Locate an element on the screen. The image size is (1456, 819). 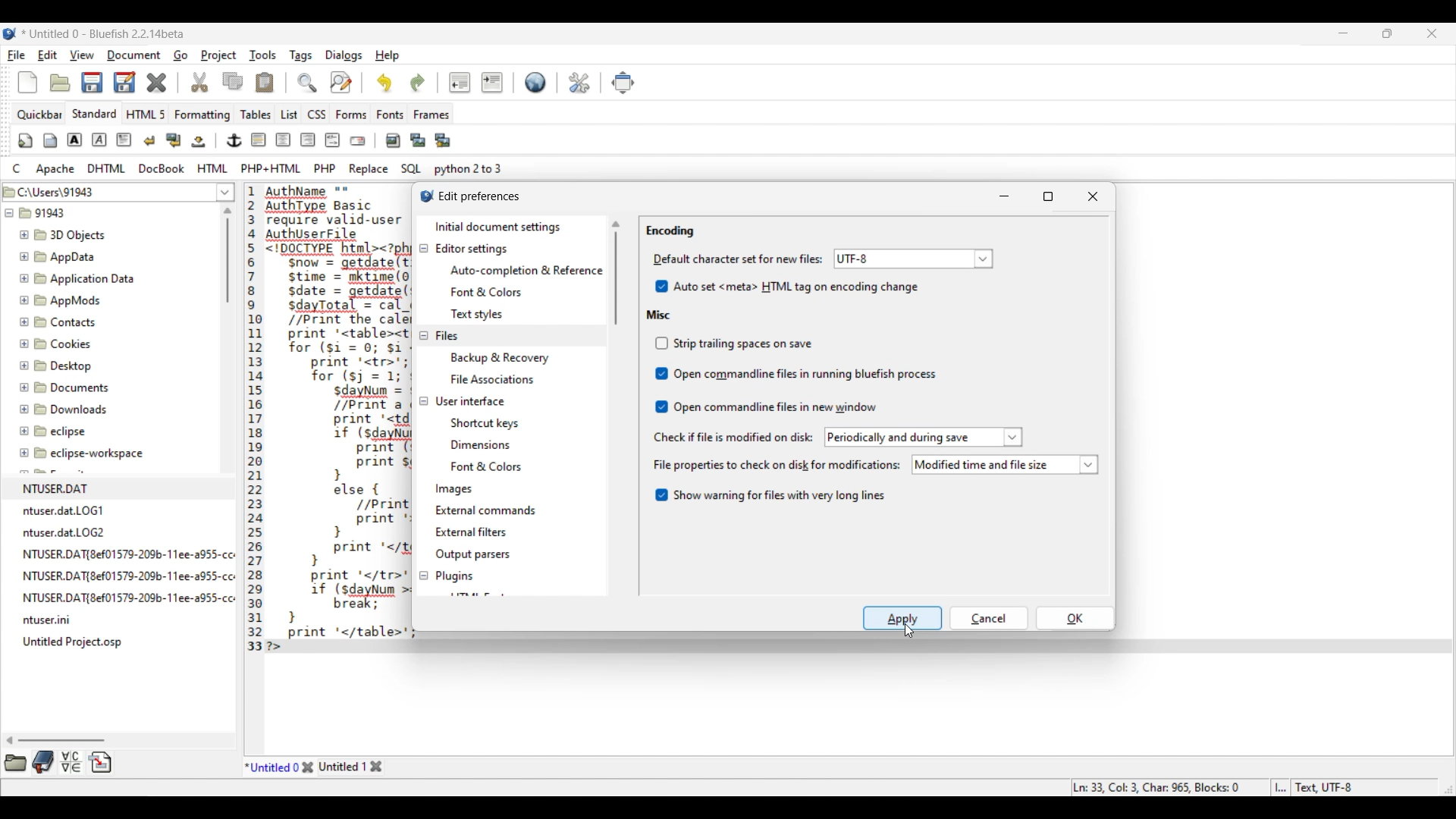
Maximize is located at coordinates (1052, 197).